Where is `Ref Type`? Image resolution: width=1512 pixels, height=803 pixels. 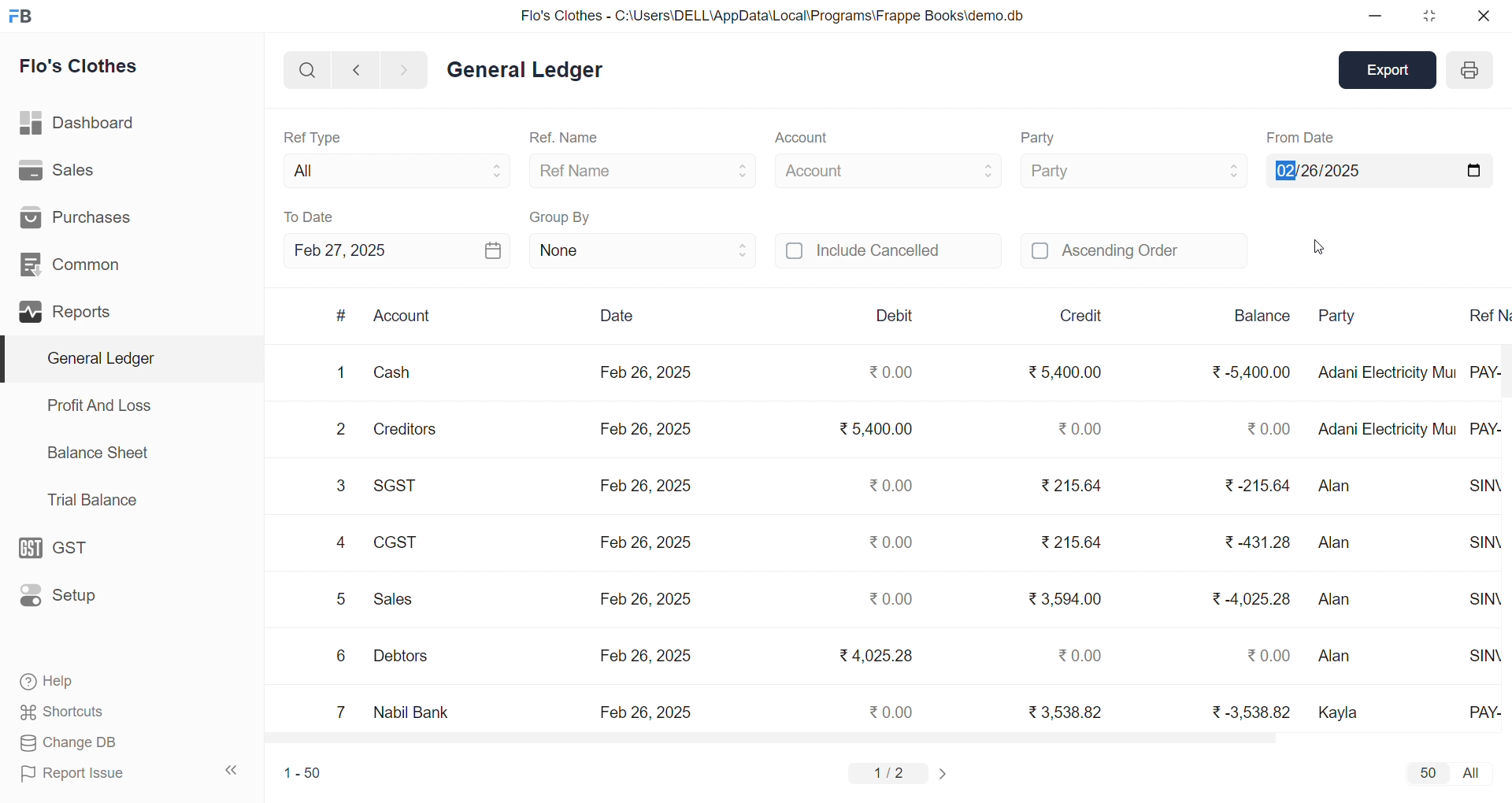 Ref Type is located at coordinates (312, 136).